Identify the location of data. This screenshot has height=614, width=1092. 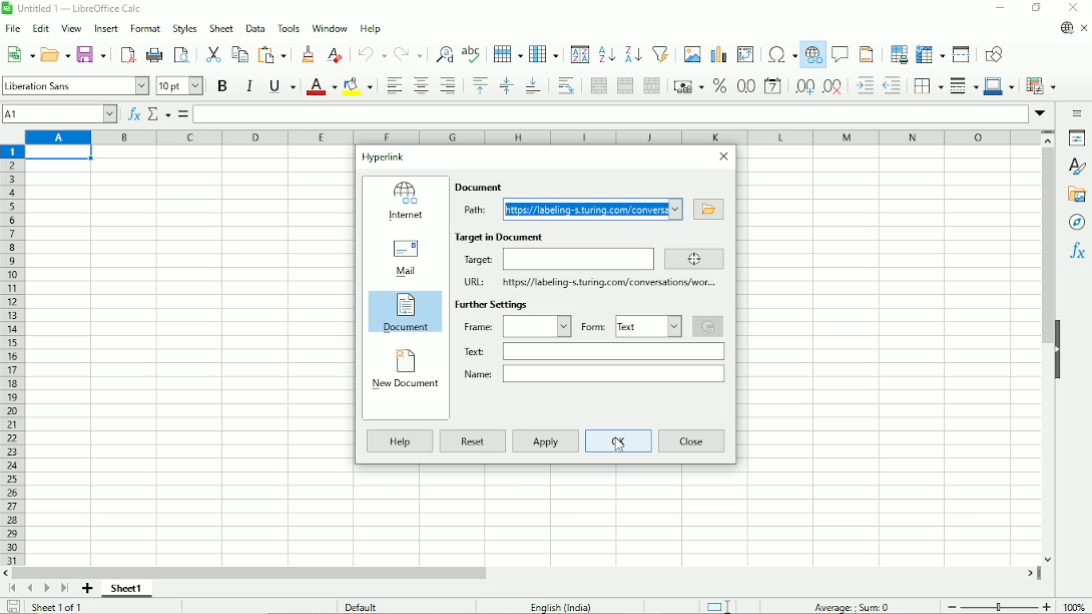
(255, 28).